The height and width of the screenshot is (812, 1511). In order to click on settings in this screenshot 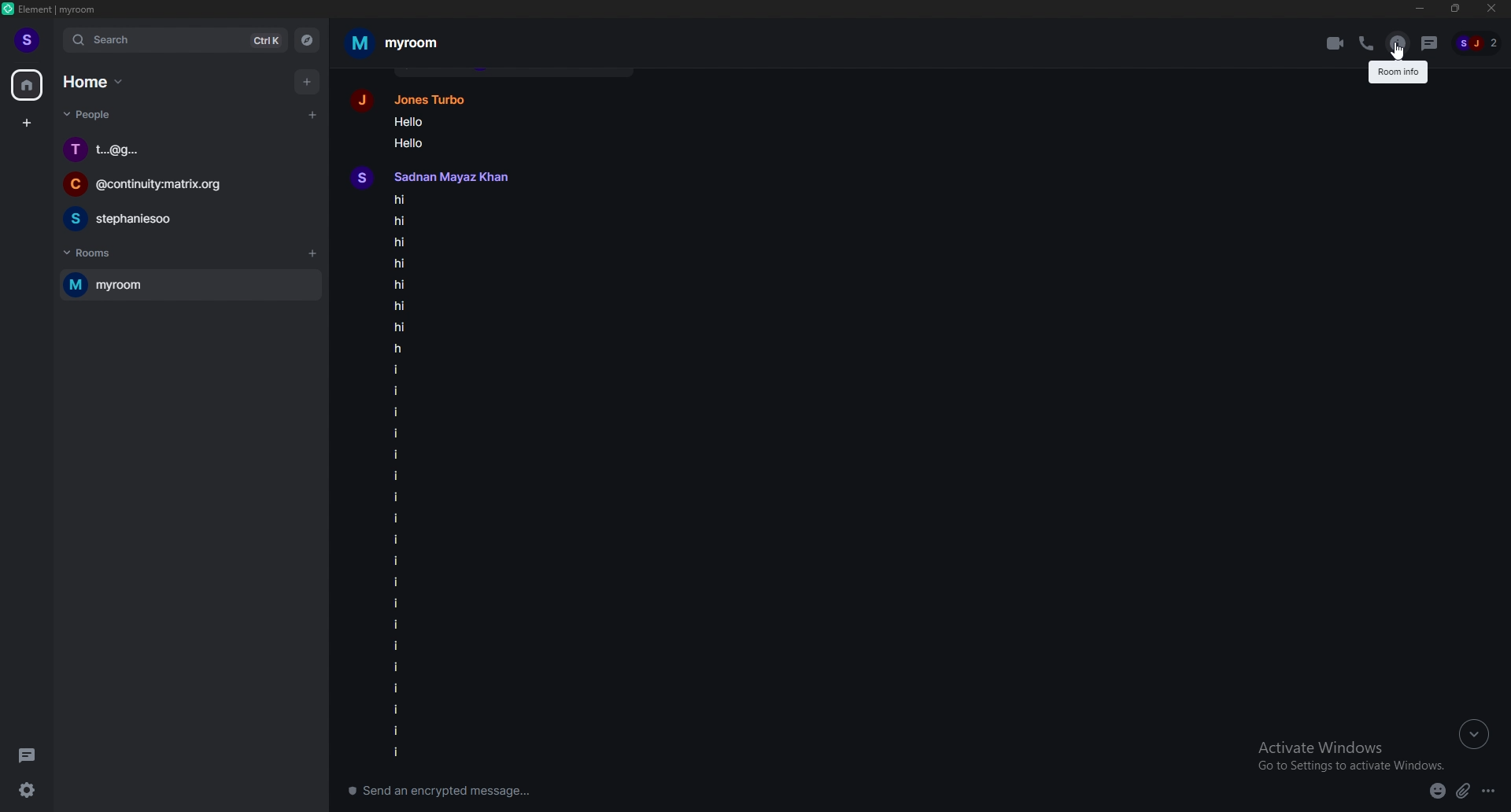, I will do `click(31, 792)`.